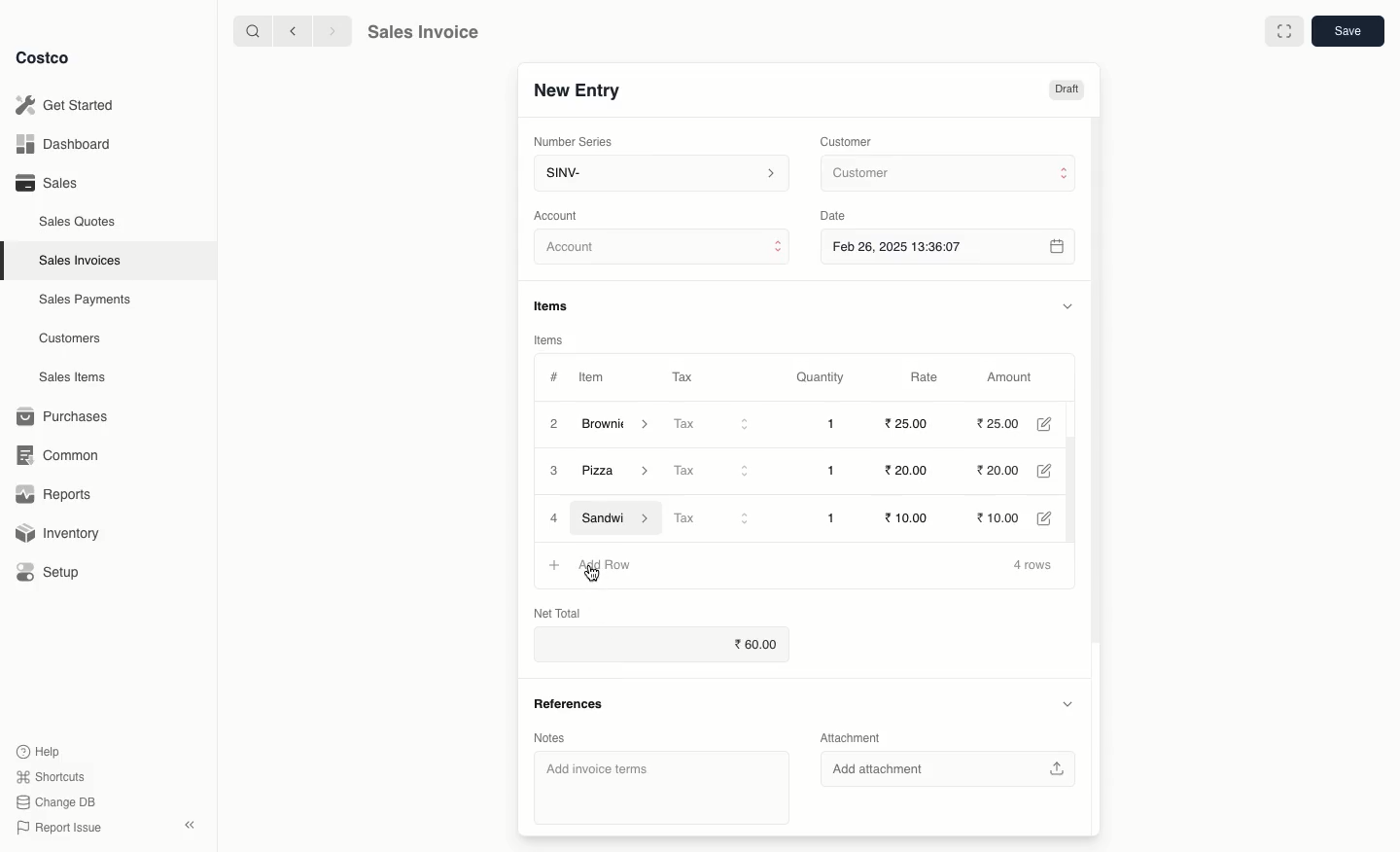 This screenshot has height=852, width=1400. Describe the element at coordinates (605, 562) in the screenshot. I see `Add Row` at that location.